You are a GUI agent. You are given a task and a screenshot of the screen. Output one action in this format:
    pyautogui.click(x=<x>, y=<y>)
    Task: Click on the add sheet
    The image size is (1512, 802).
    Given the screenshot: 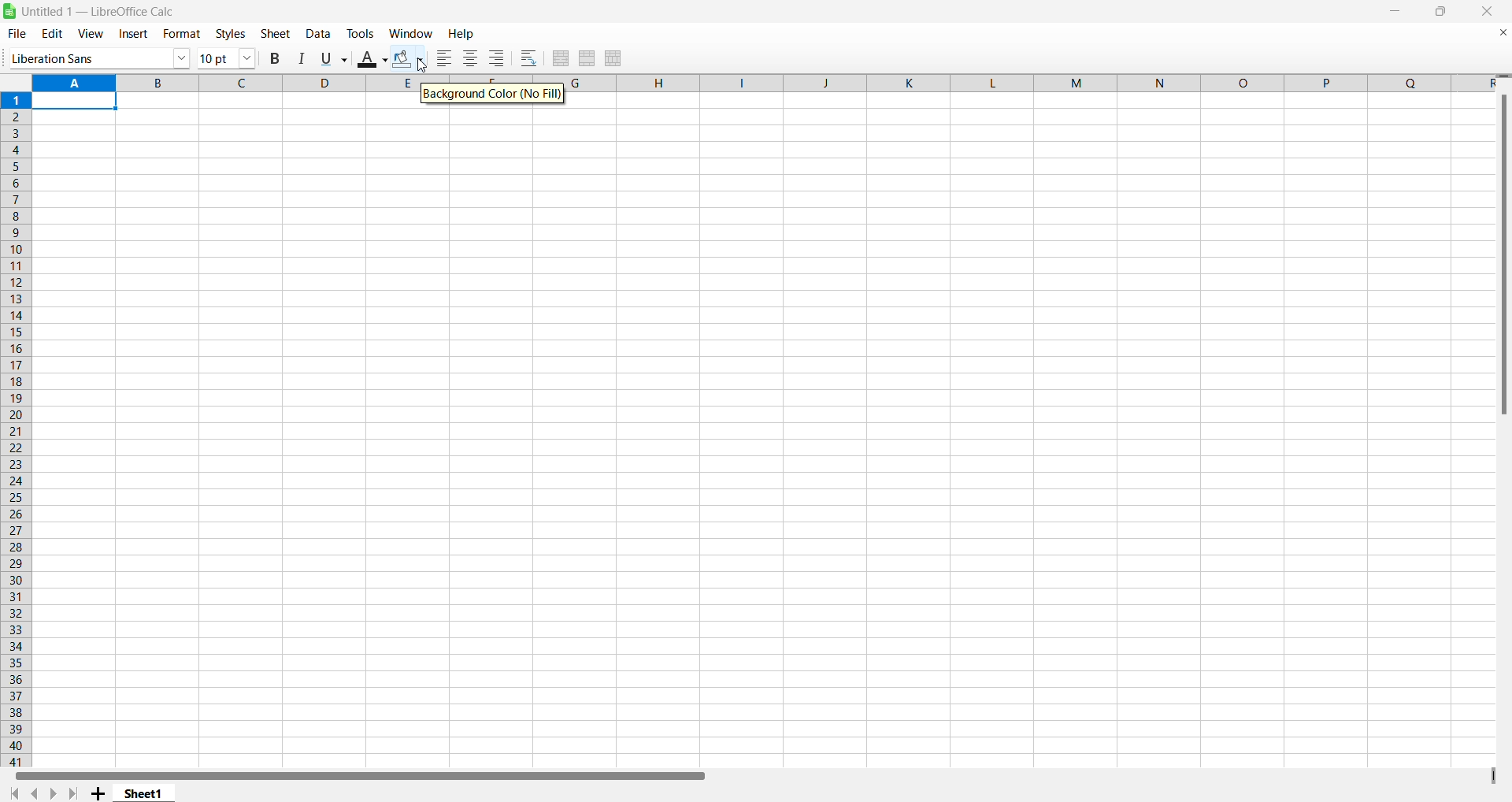 What is the action you would take?
    pyautogui.click(x=98, y=792)
    